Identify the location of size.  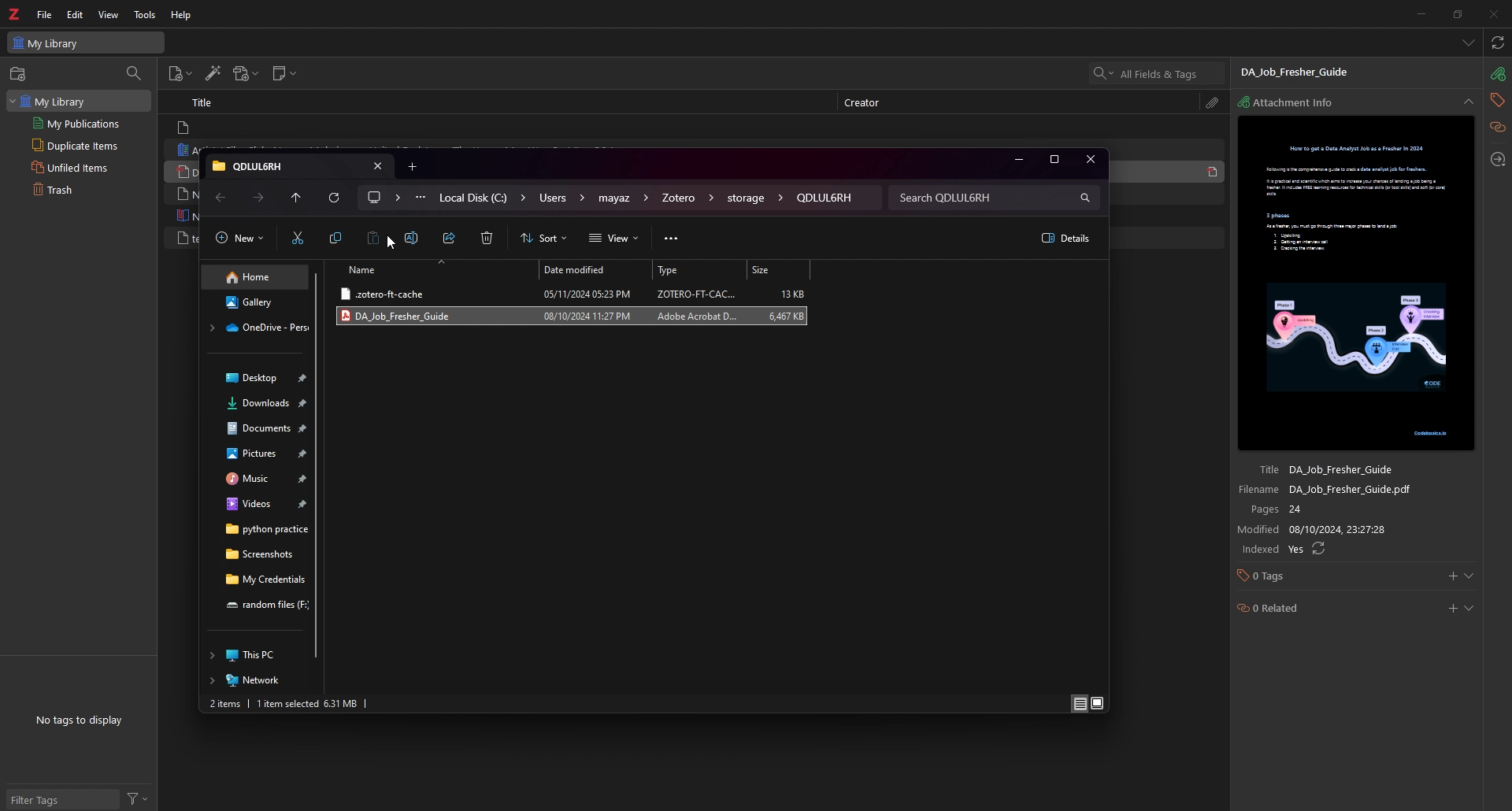
(780, 269).